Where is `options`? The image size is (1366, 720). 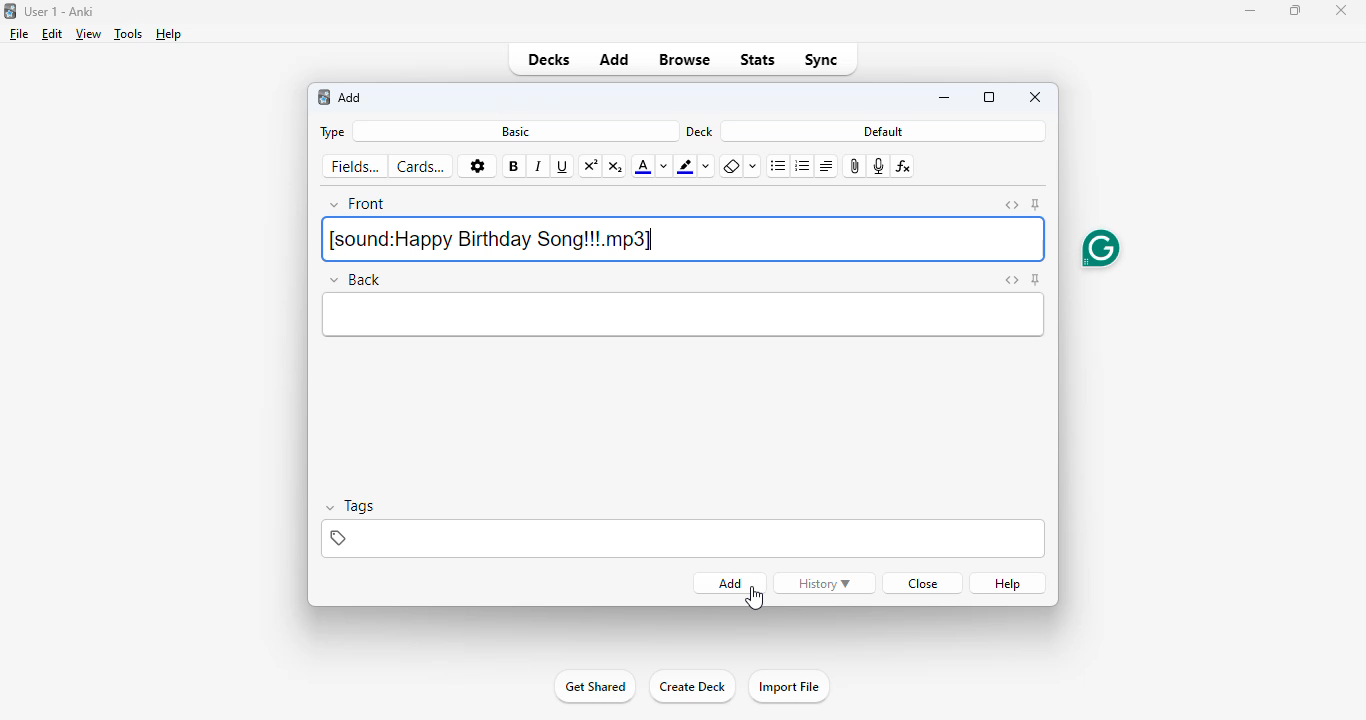 options is located at coordinates (476, 166).